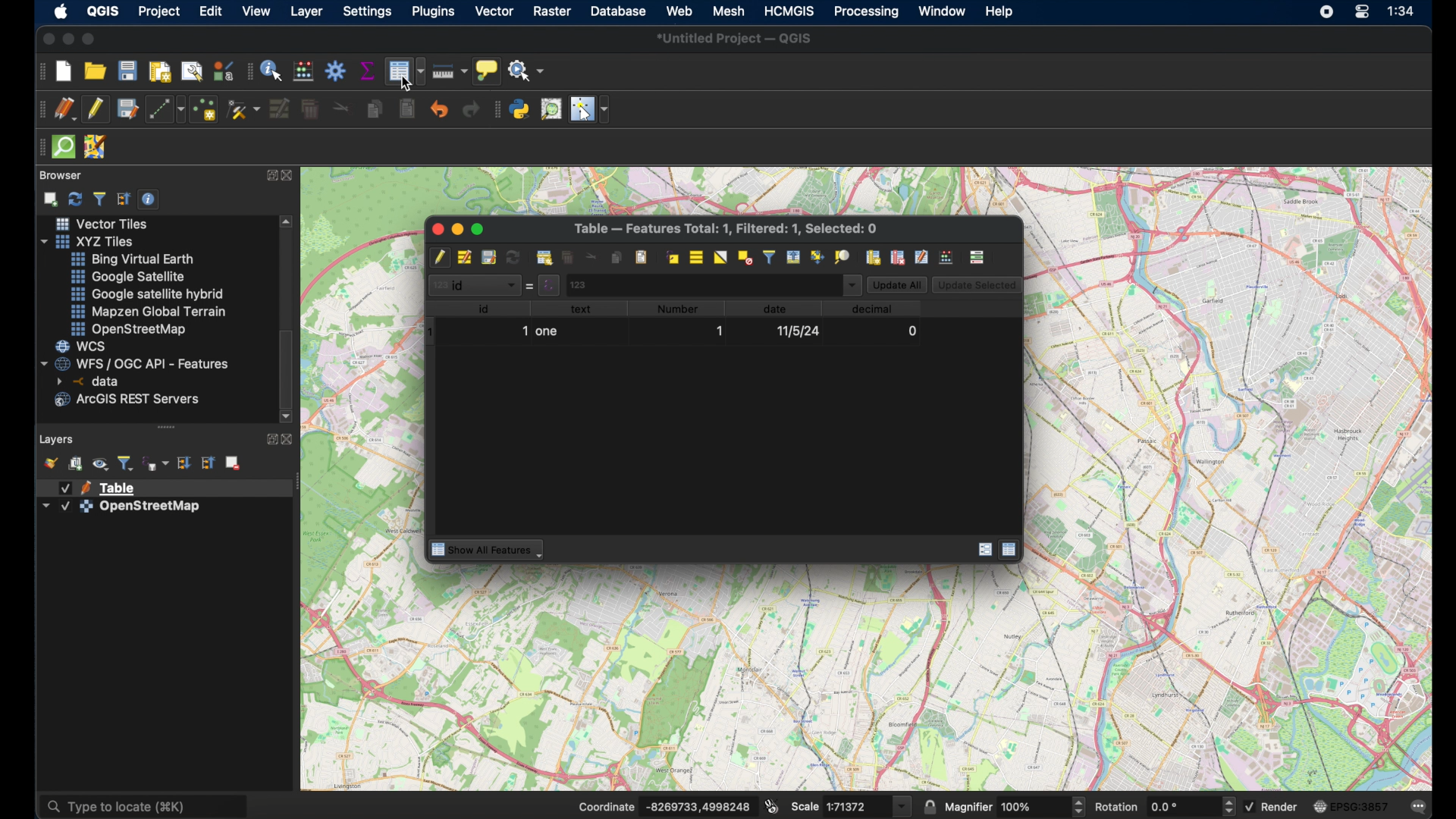  I want to click on table - features total : 1, filtered: 1, selected: 0, so click(729, 227).